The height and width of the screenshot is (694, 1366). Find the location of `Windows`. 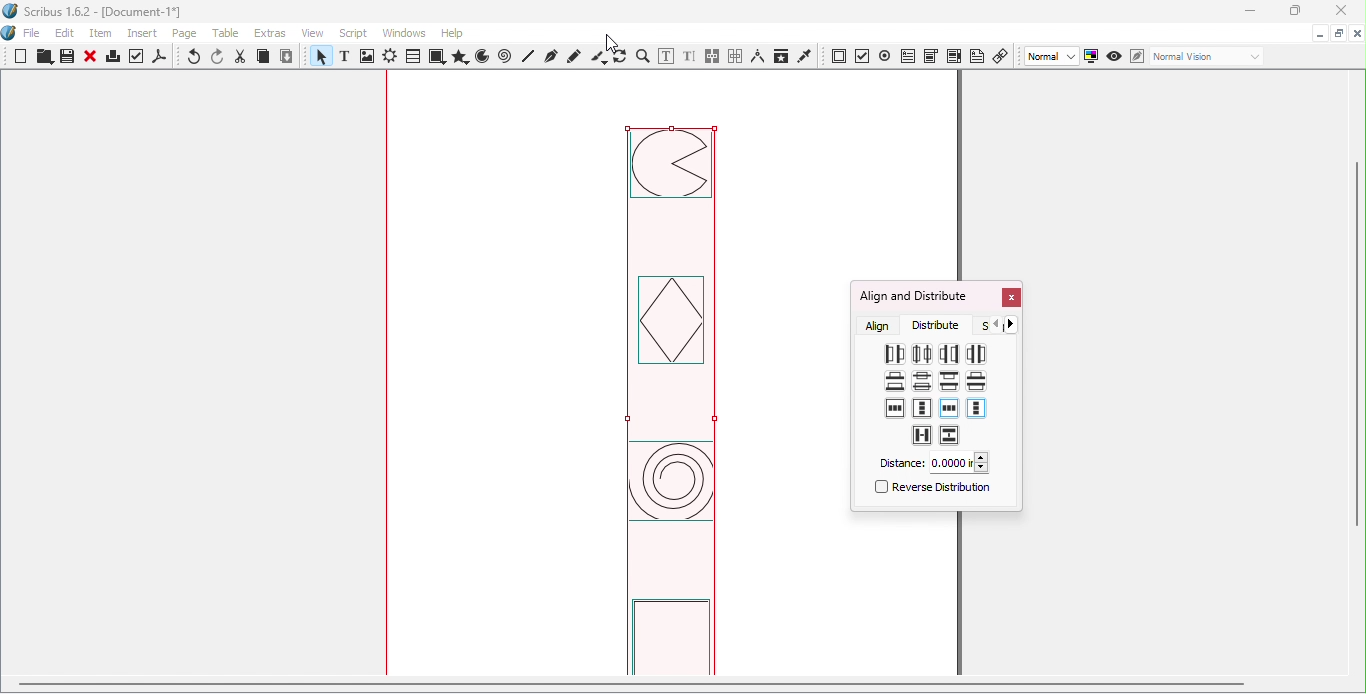

Windows is located at coordinates (404, 33).